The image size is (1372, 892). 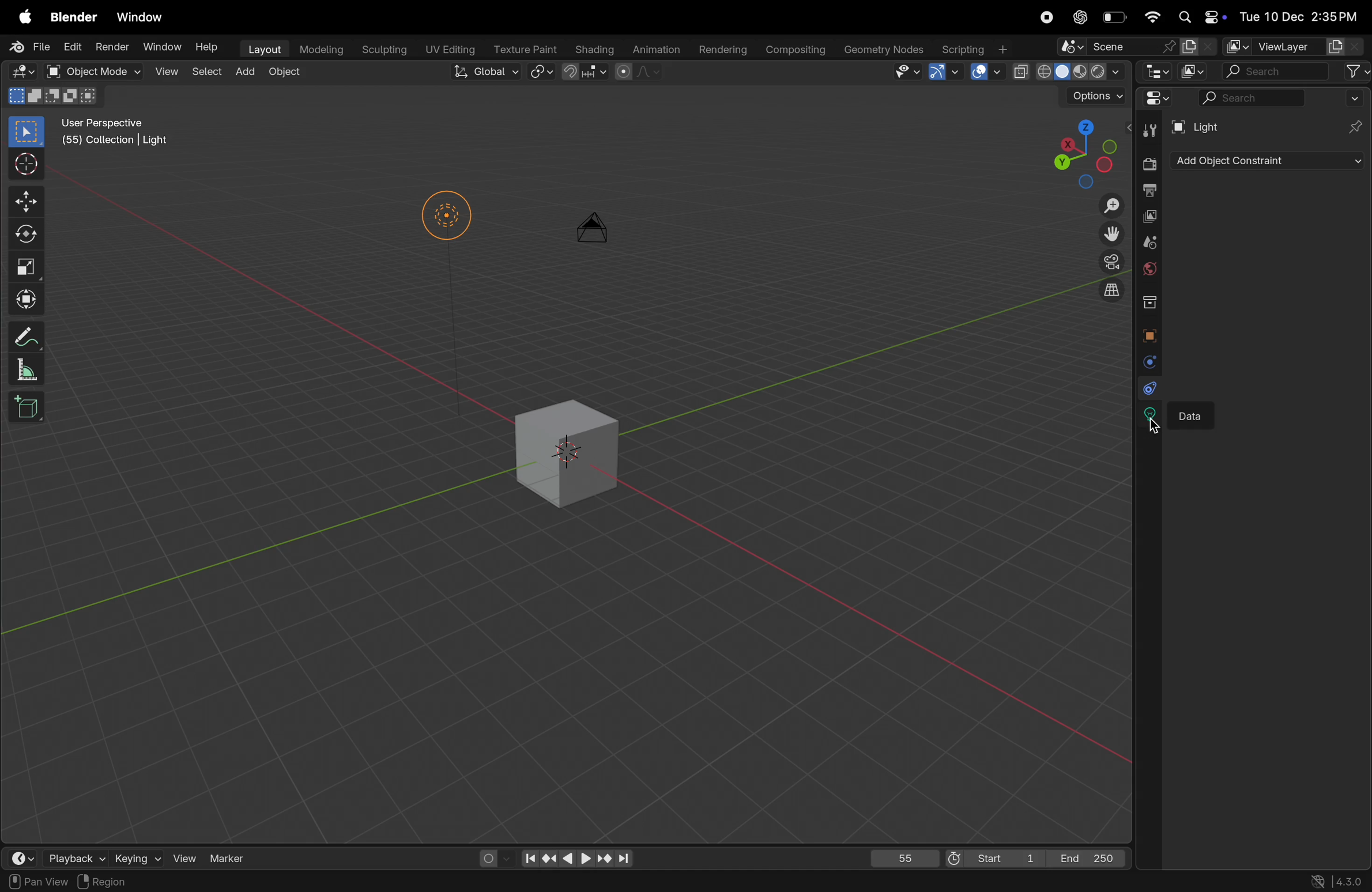 What do you see at coordinates (186, 857) in the screenshot?
I see `view` at bounding box center [186, 857].